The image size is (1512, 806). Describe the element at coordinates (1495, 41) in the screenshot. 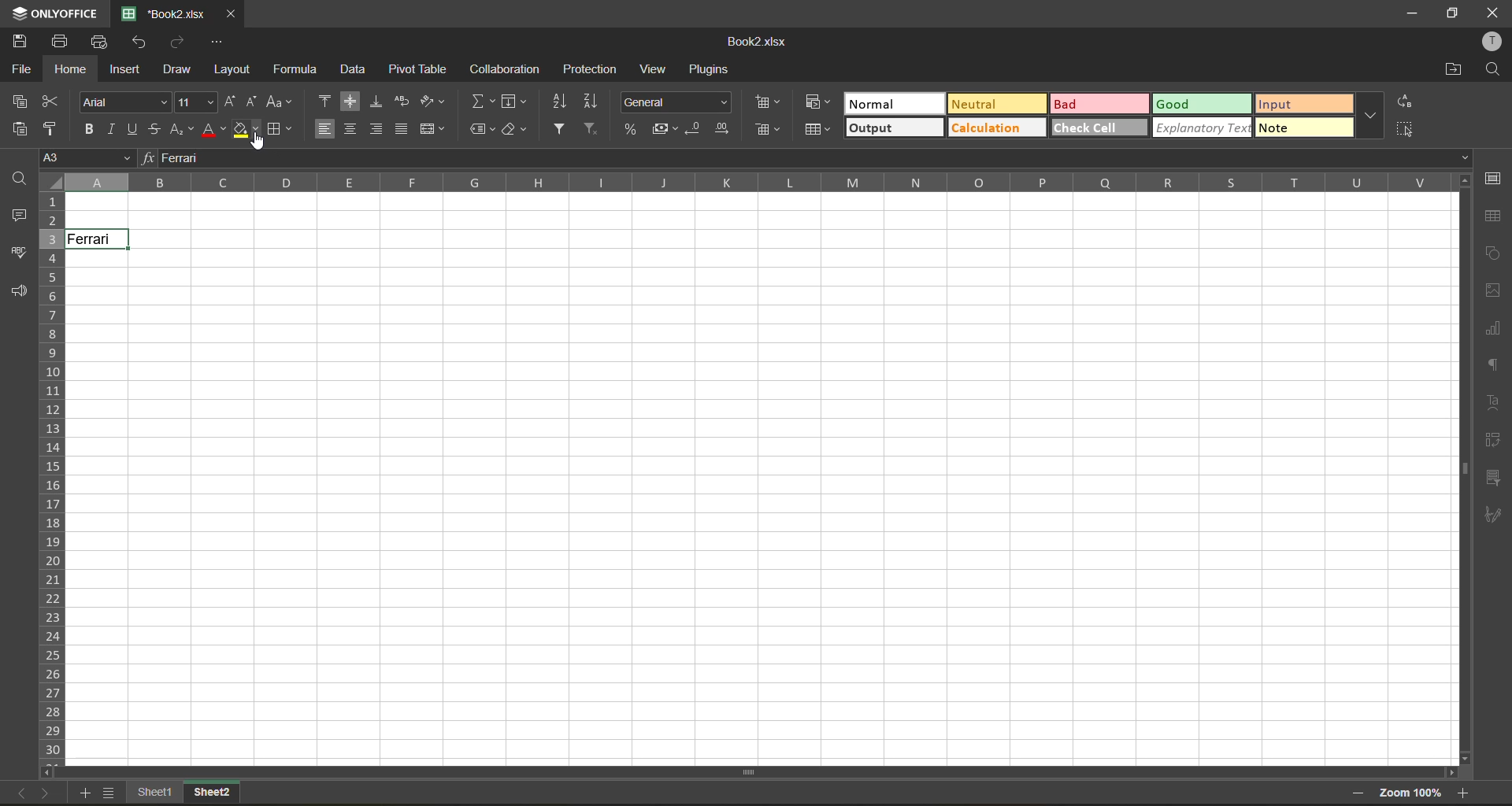

I see `profile` at that location.